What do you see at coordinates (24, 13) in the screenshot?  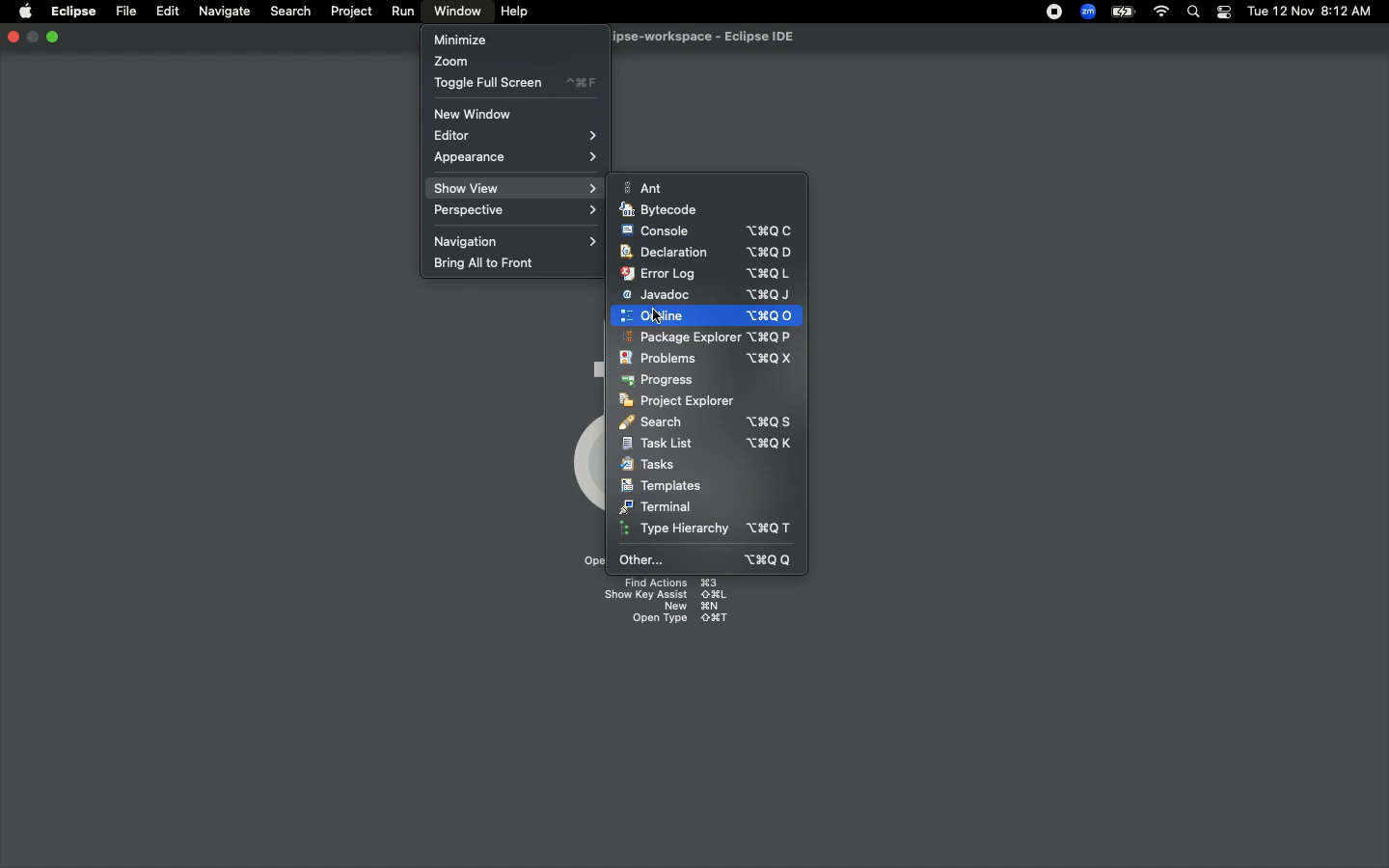 I see `Apple logo` at bounding box center [24, 13].